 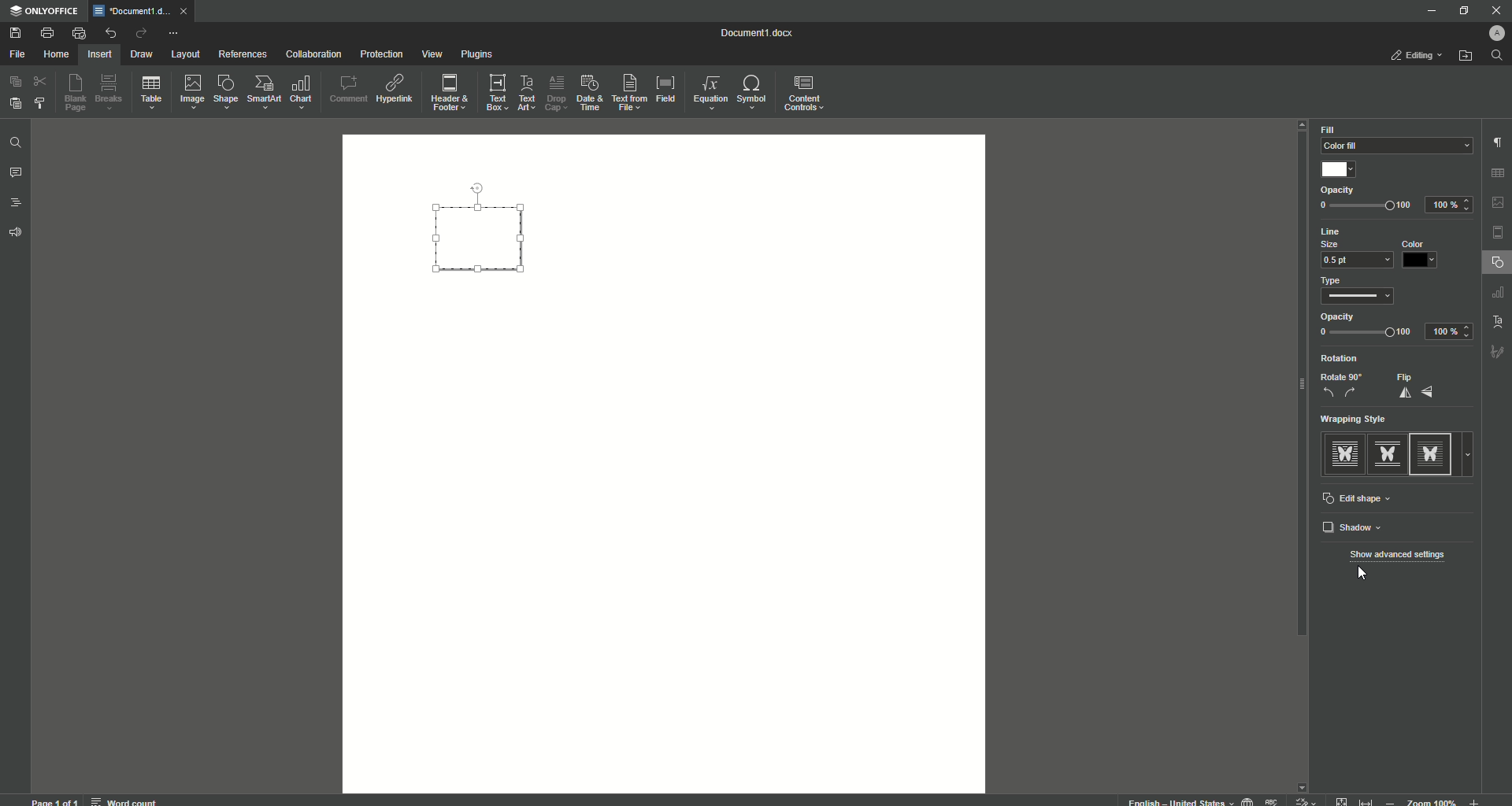 I want to click on set document language, so click(x=1247, y=800).